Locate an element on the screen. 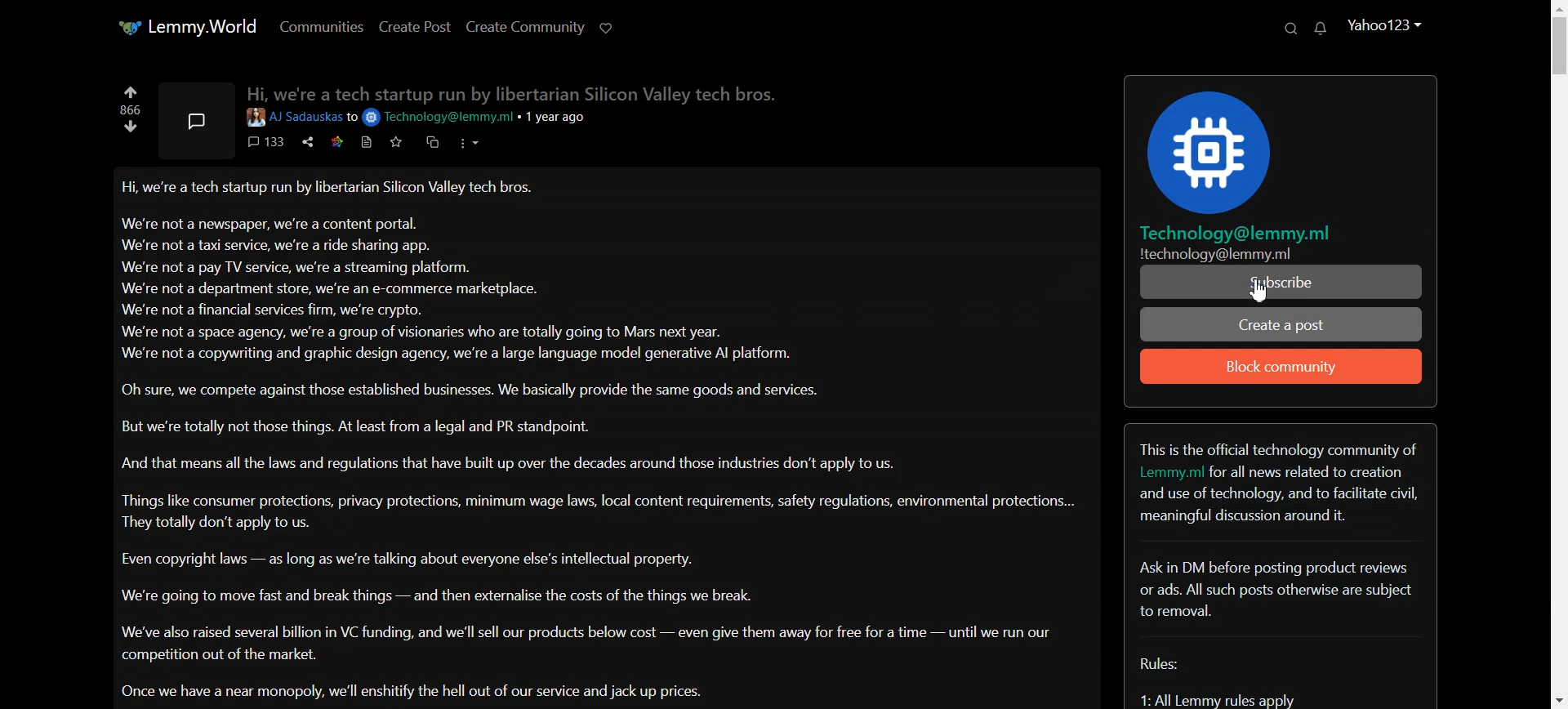  Channel icon is located at coordinates (1281, 143).